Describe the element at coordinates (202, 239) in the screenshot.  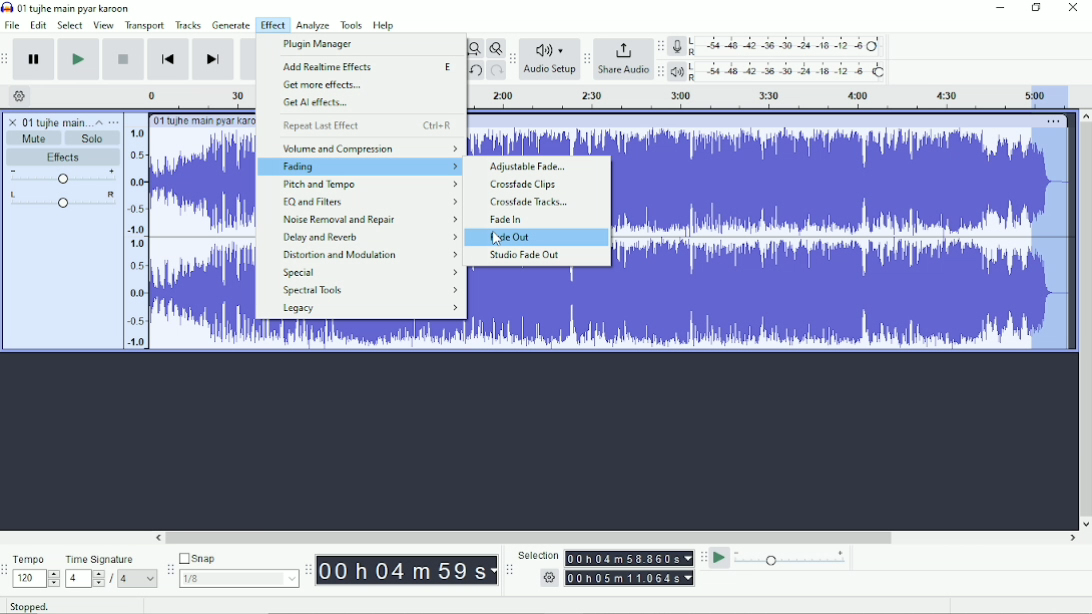
I see `Audio` at that location.